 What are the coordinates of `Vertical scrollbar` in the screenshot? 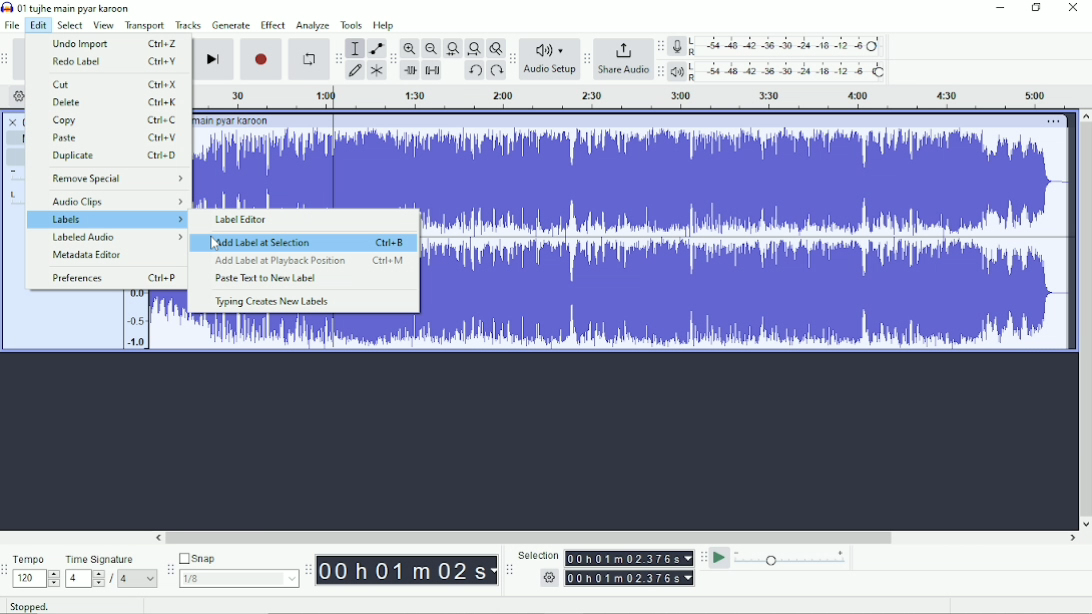 It's located at (1085, 313).